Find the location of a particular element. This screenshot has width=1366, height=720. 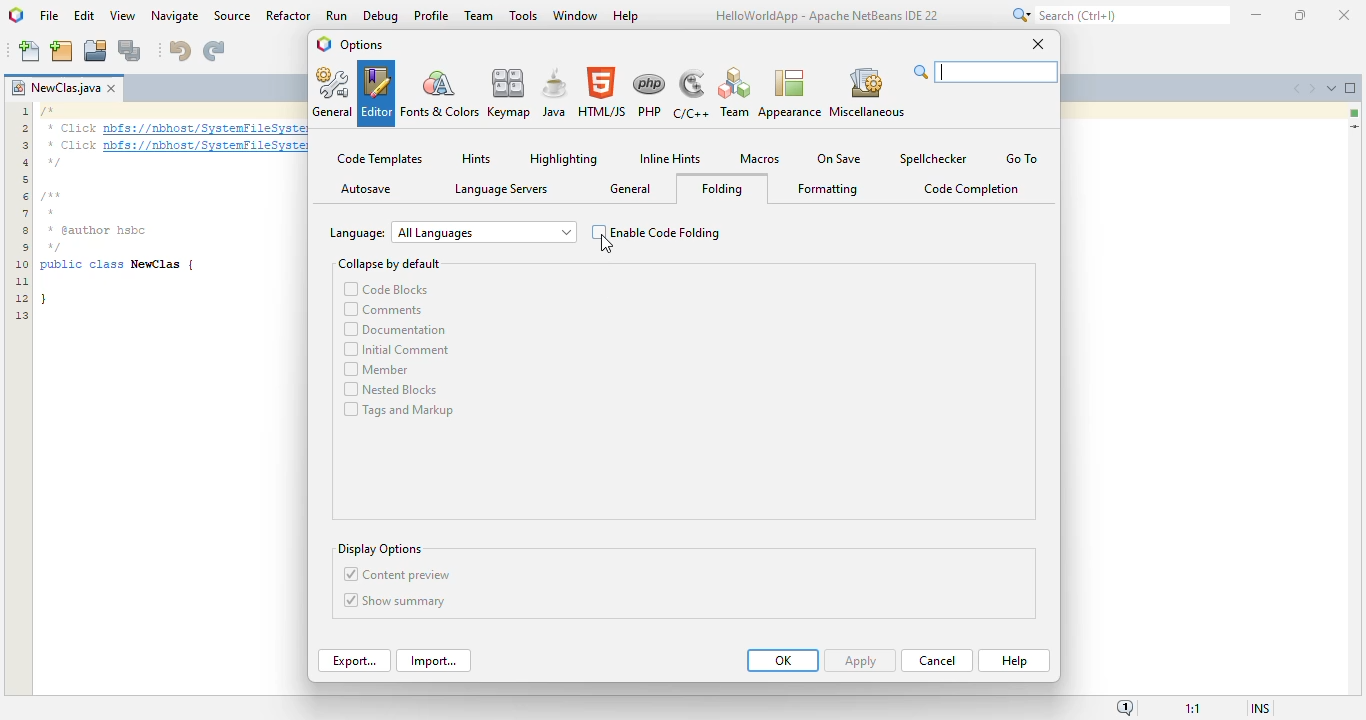

debug is located at coordinates (382, 15).